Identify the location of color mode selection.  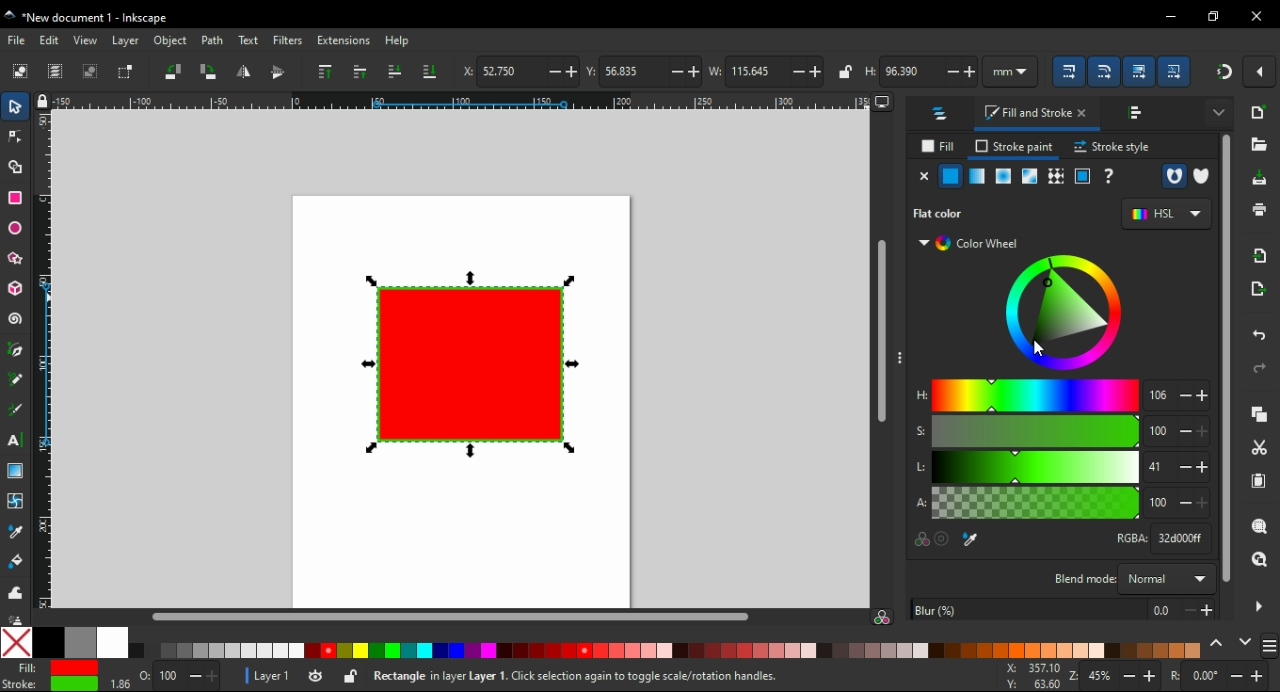
(1164, 215).